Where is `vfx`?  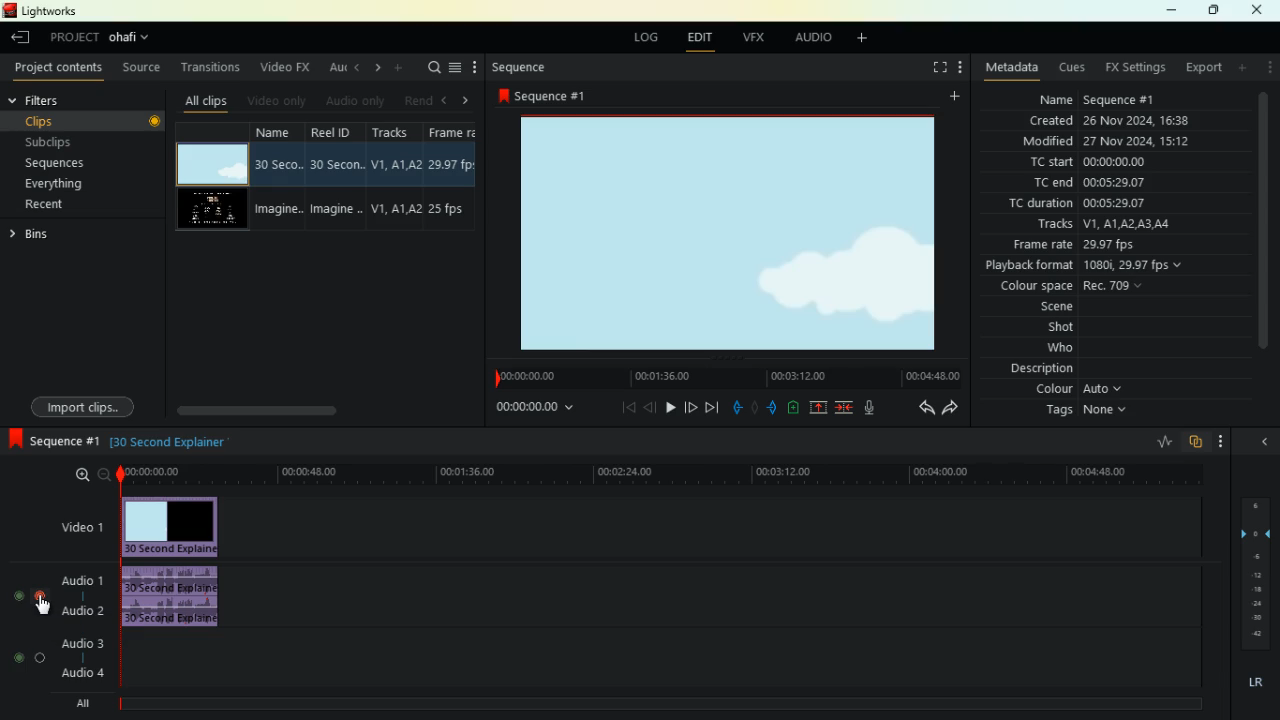 vfx is located at coordinates (755, 38).